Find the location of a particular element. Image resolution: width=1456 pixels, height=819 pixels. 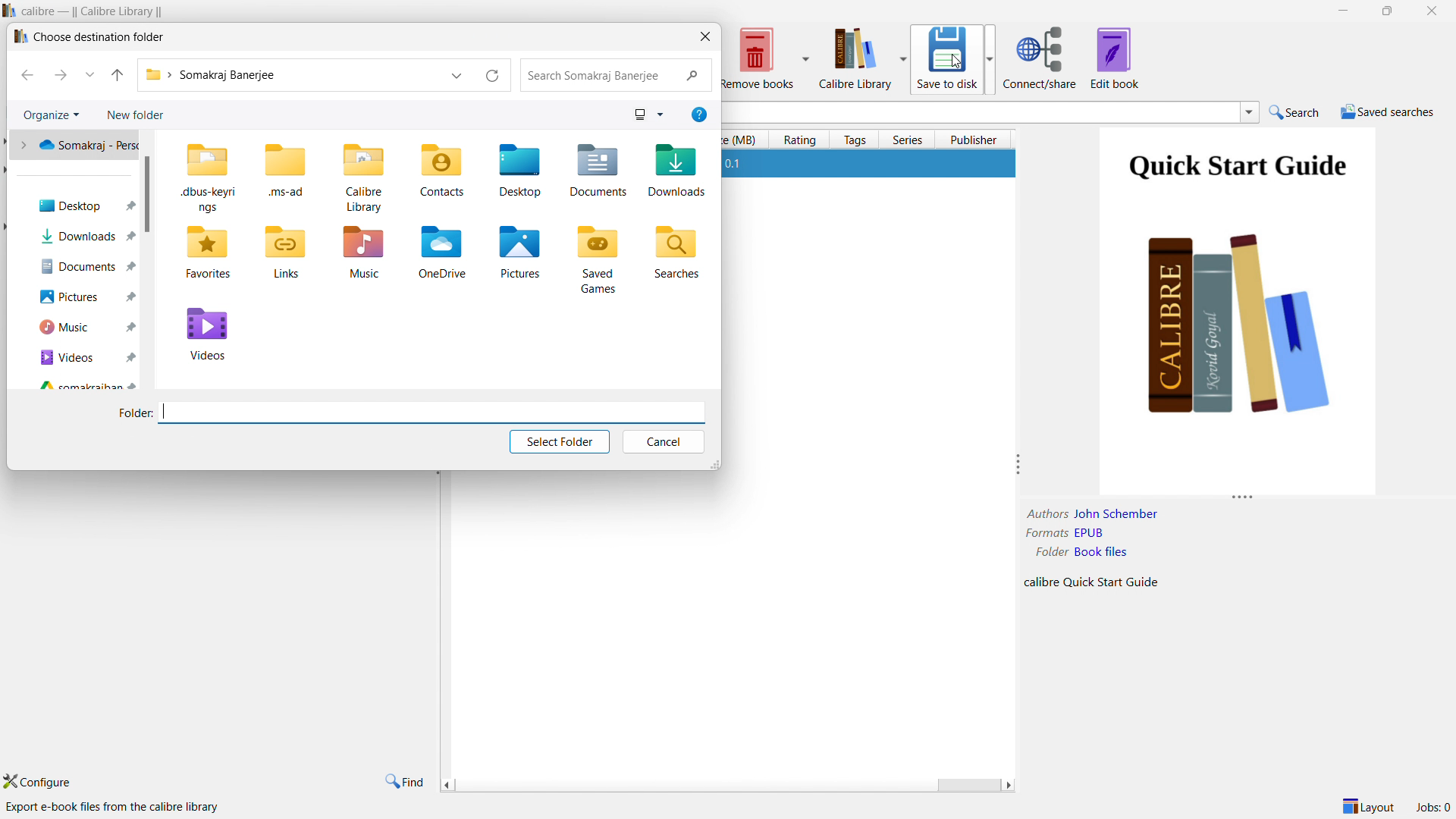

cancel is located at coordinates (665, 441).